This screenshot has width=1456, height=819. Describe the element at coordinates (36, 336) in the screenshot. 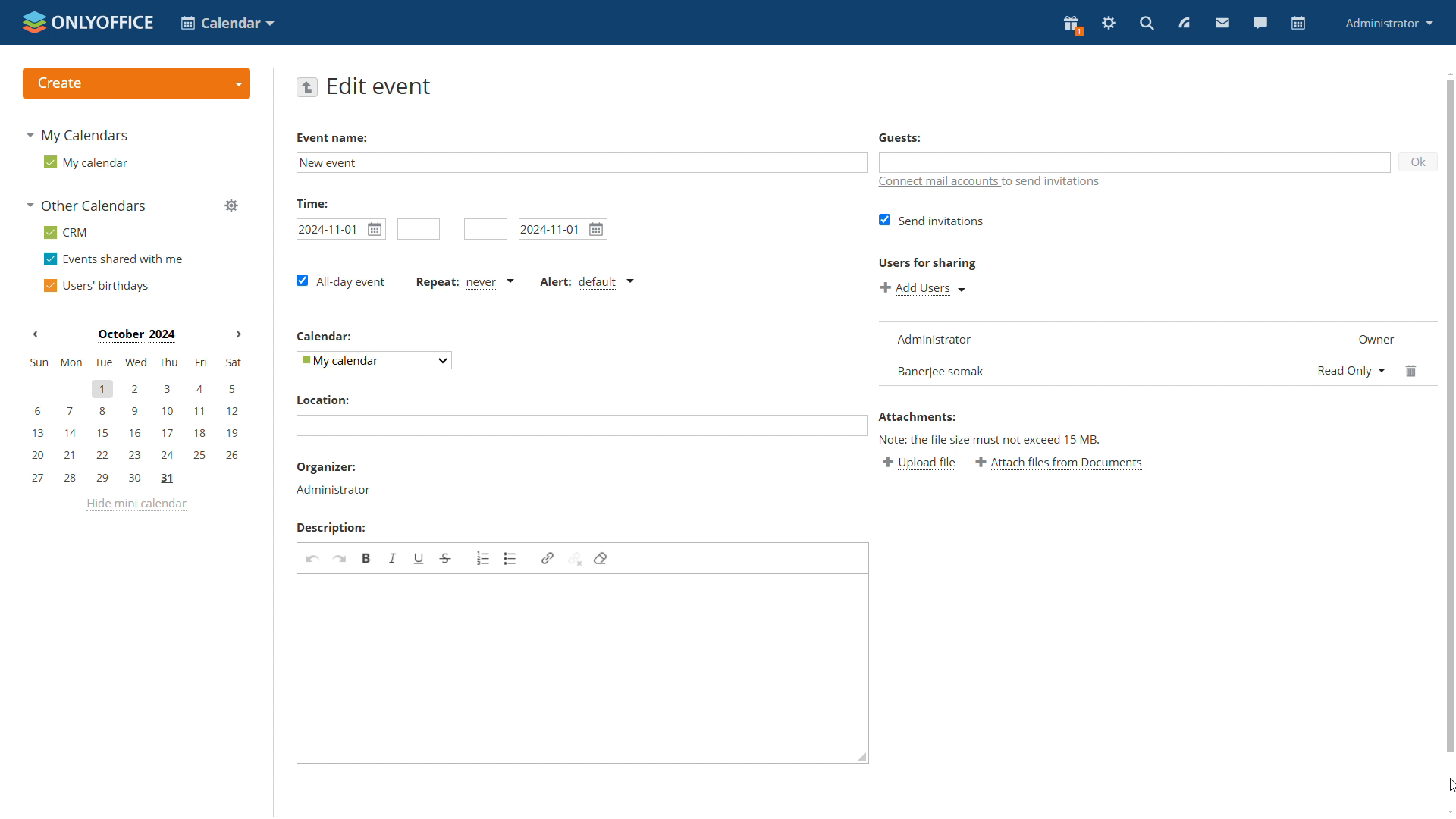

I see `Previous month` at that location.